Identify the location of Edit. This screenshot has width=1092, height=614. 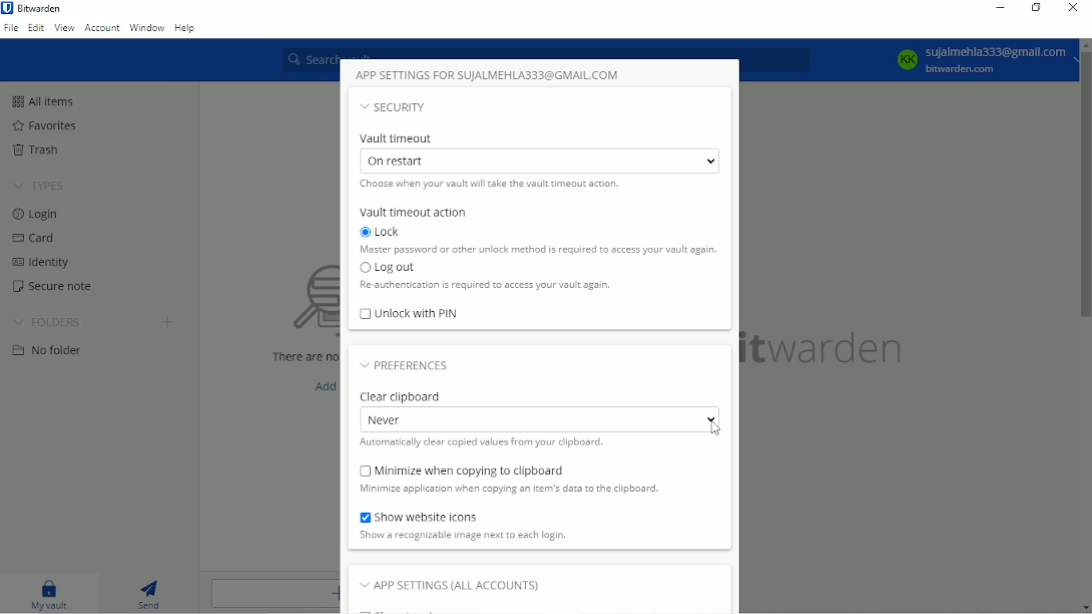
(34, 27).